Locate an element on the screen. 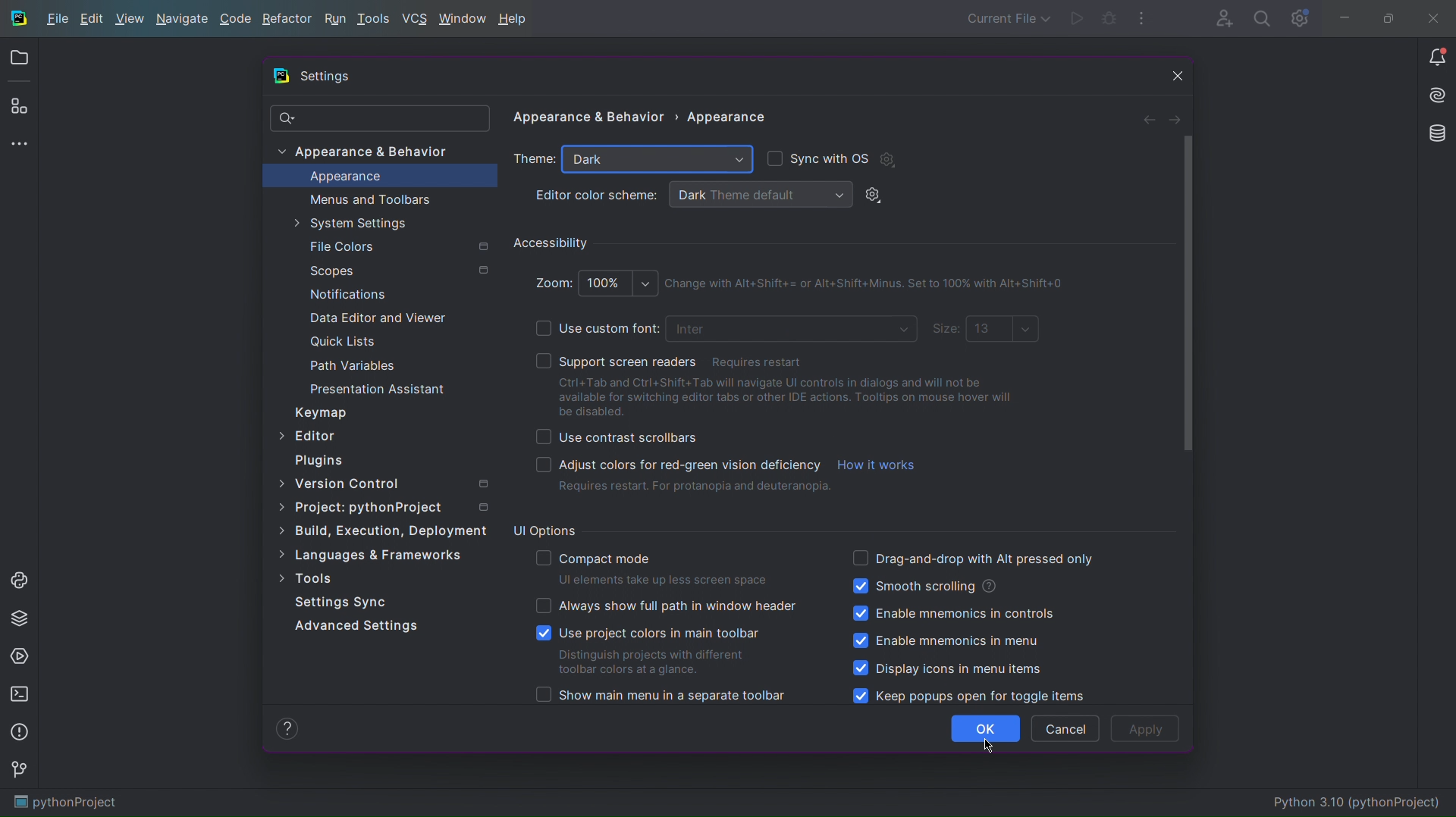 Image resolution: width=1456 pixels, height=817 pixels. Scopes is located at coordinates (396, 271).